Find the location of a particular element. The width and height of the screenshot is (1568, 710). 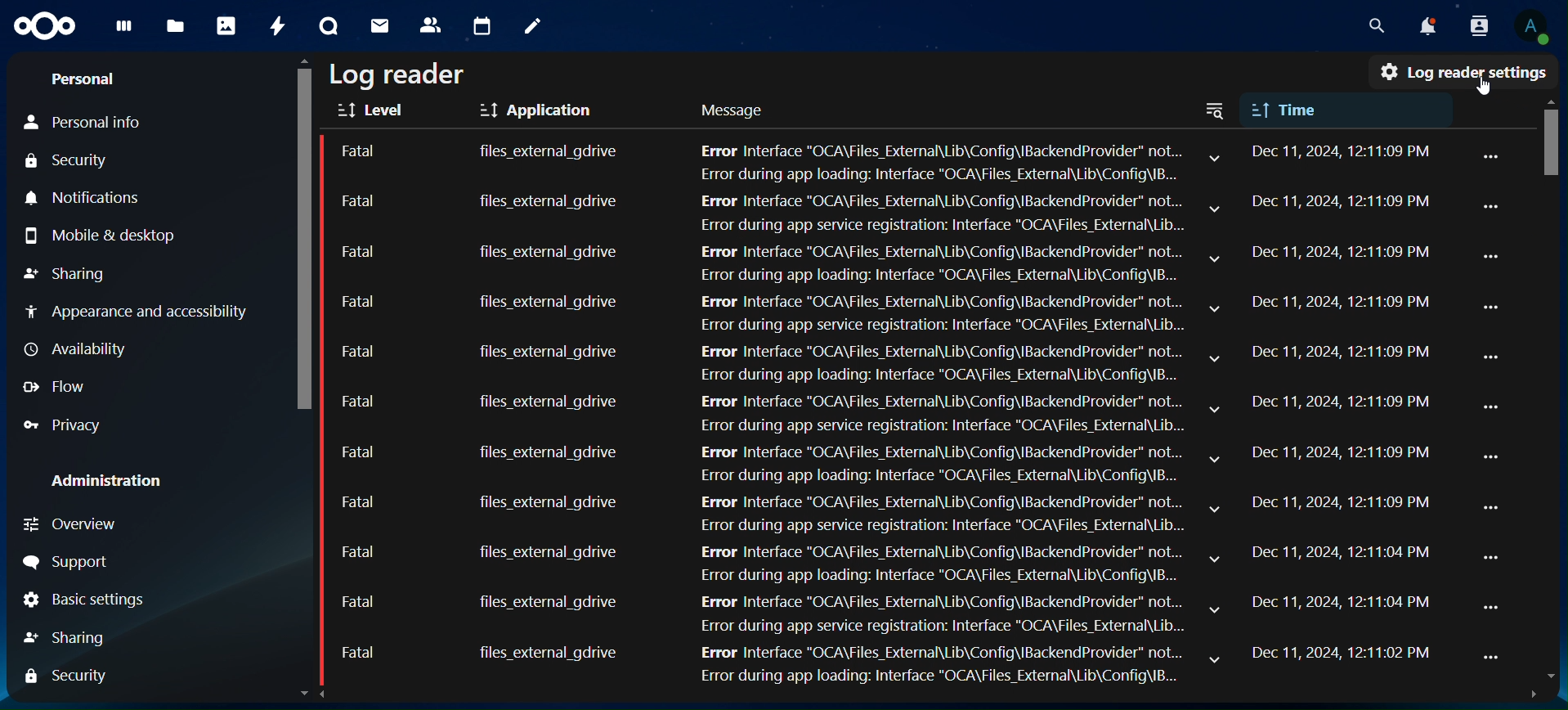

personal info is located at coordinates (89, 123).